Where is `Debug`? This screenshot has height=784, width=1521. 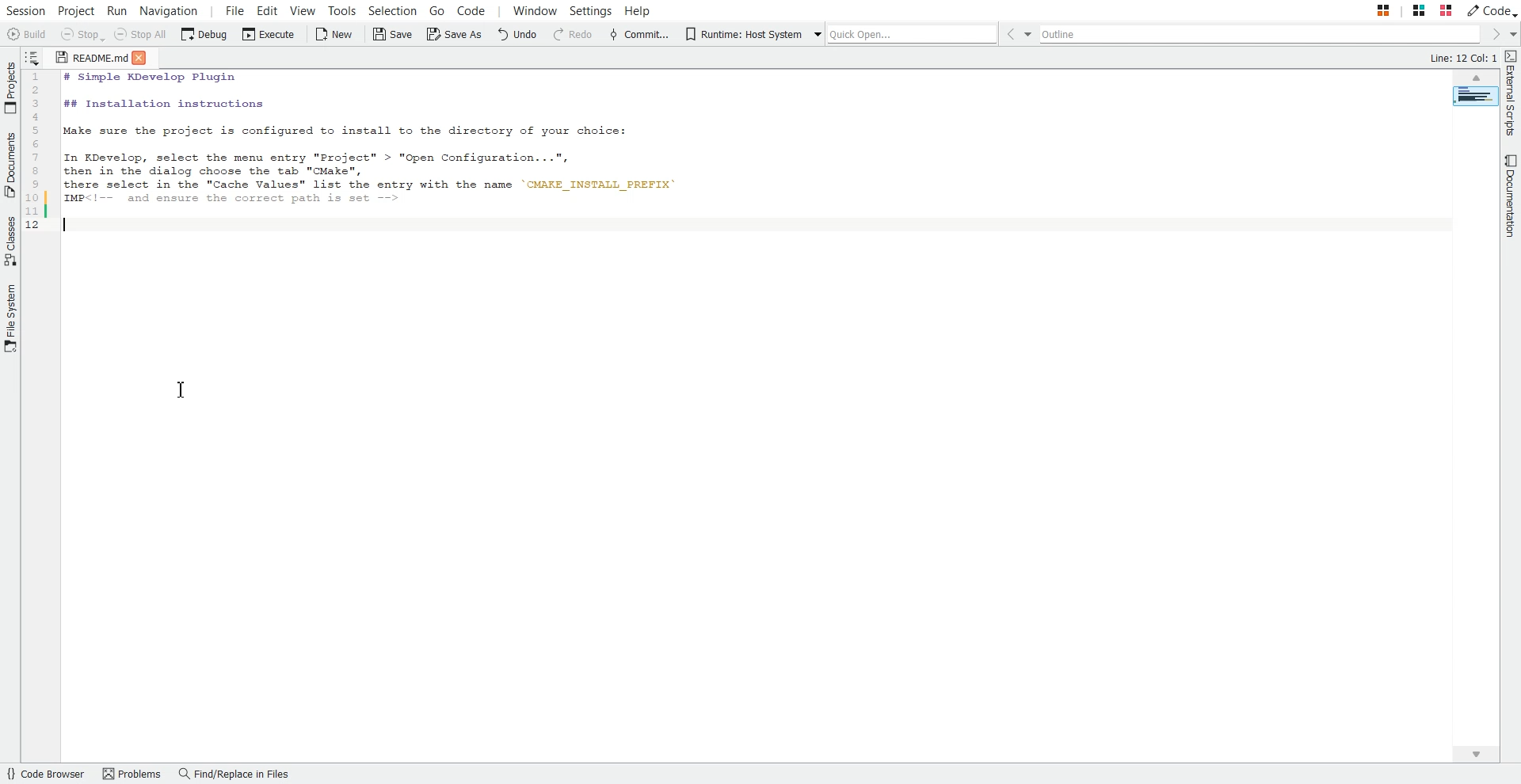
Debug is located at coordinates (203, 35).